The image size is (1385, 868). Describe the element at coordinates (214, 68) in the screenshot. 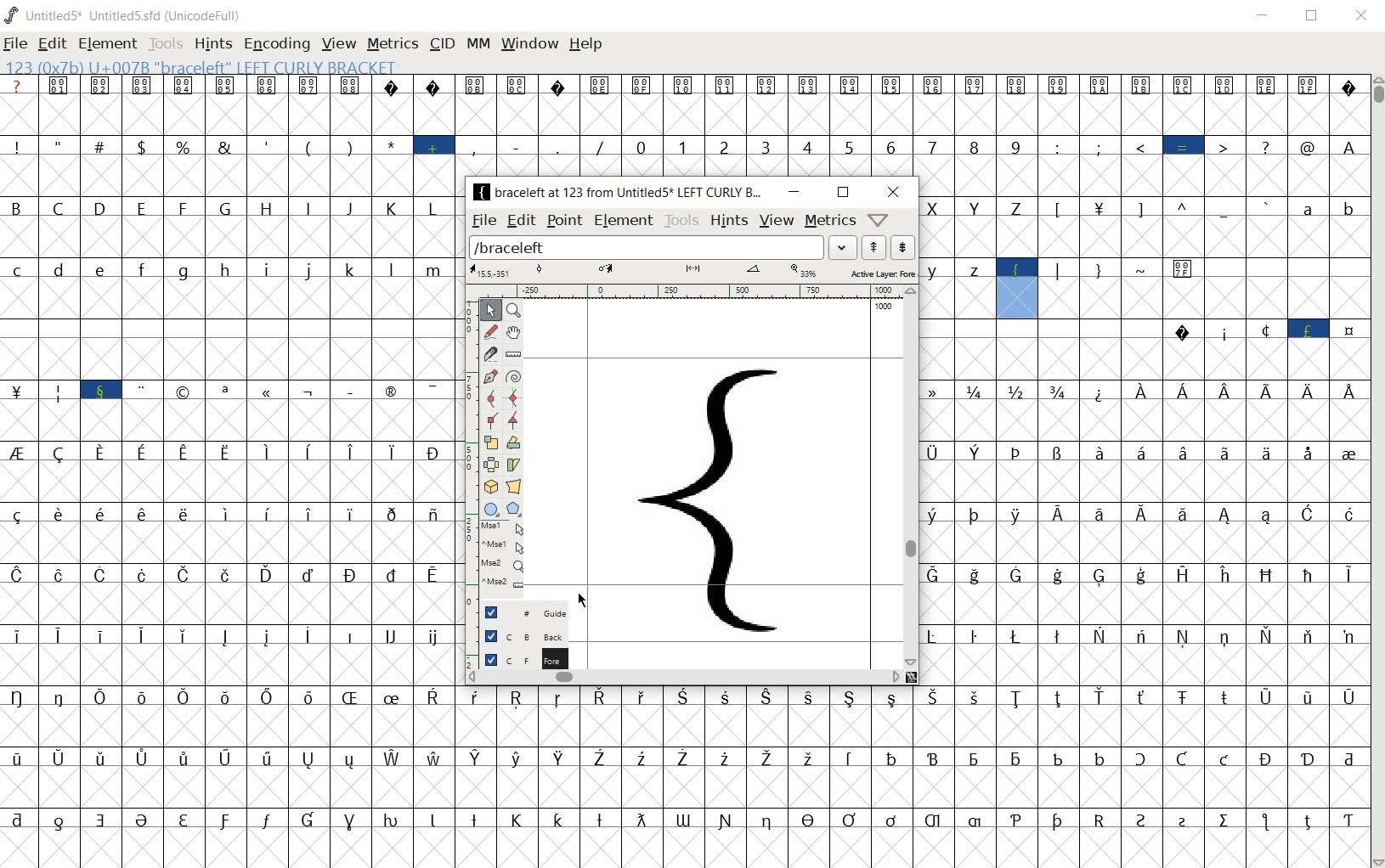

I see `123 (0x7b) U+007B "braceleft" LEFT CURLY BRACKET` at that location.